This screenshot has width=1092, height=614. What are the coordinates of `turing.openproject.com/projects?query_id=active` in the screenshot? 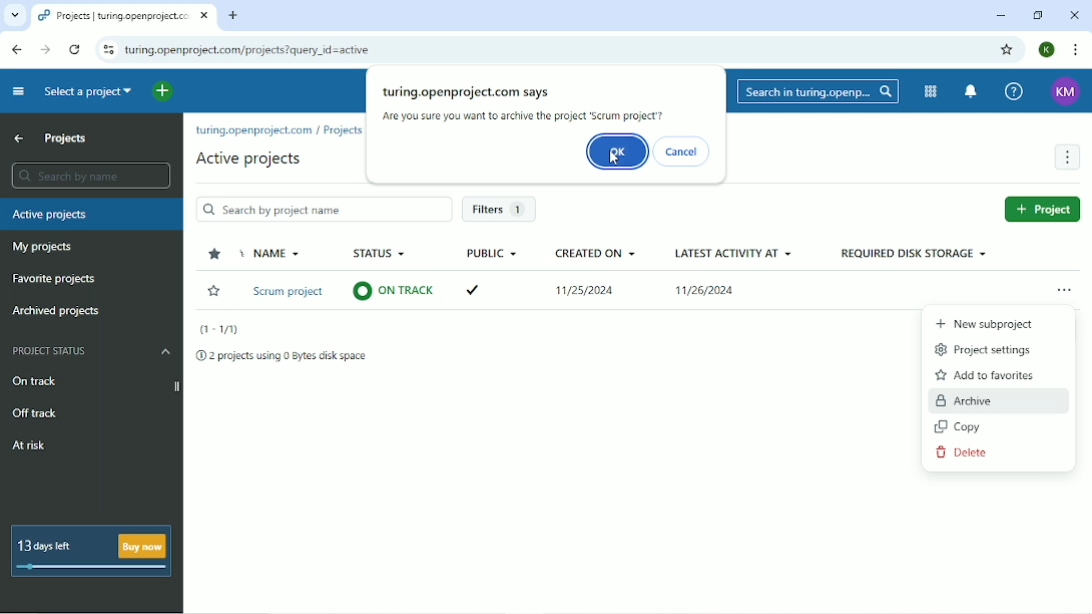 It's located at (263, 51).